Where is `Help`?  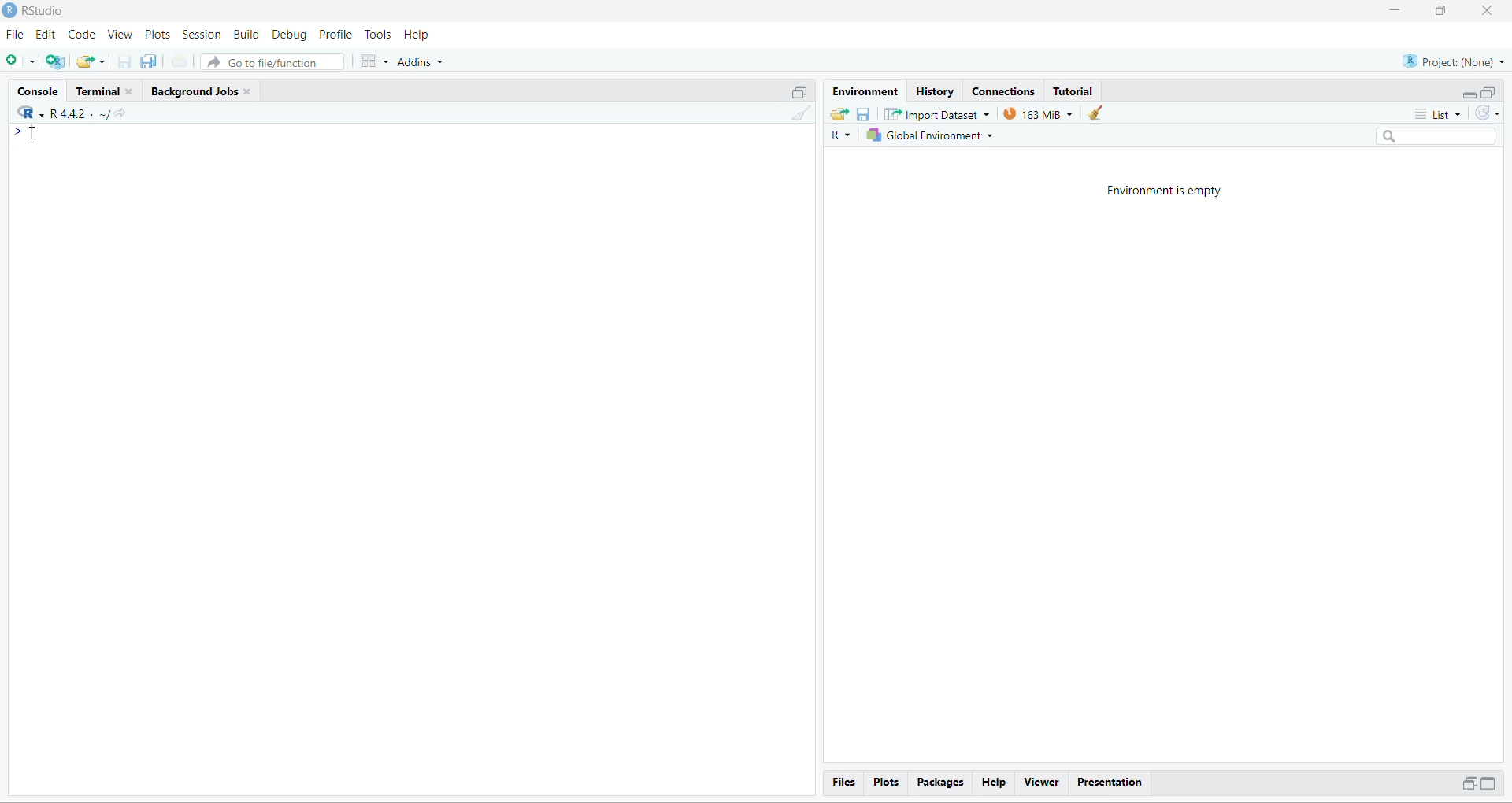 Help is located at coordinates (418, 35).